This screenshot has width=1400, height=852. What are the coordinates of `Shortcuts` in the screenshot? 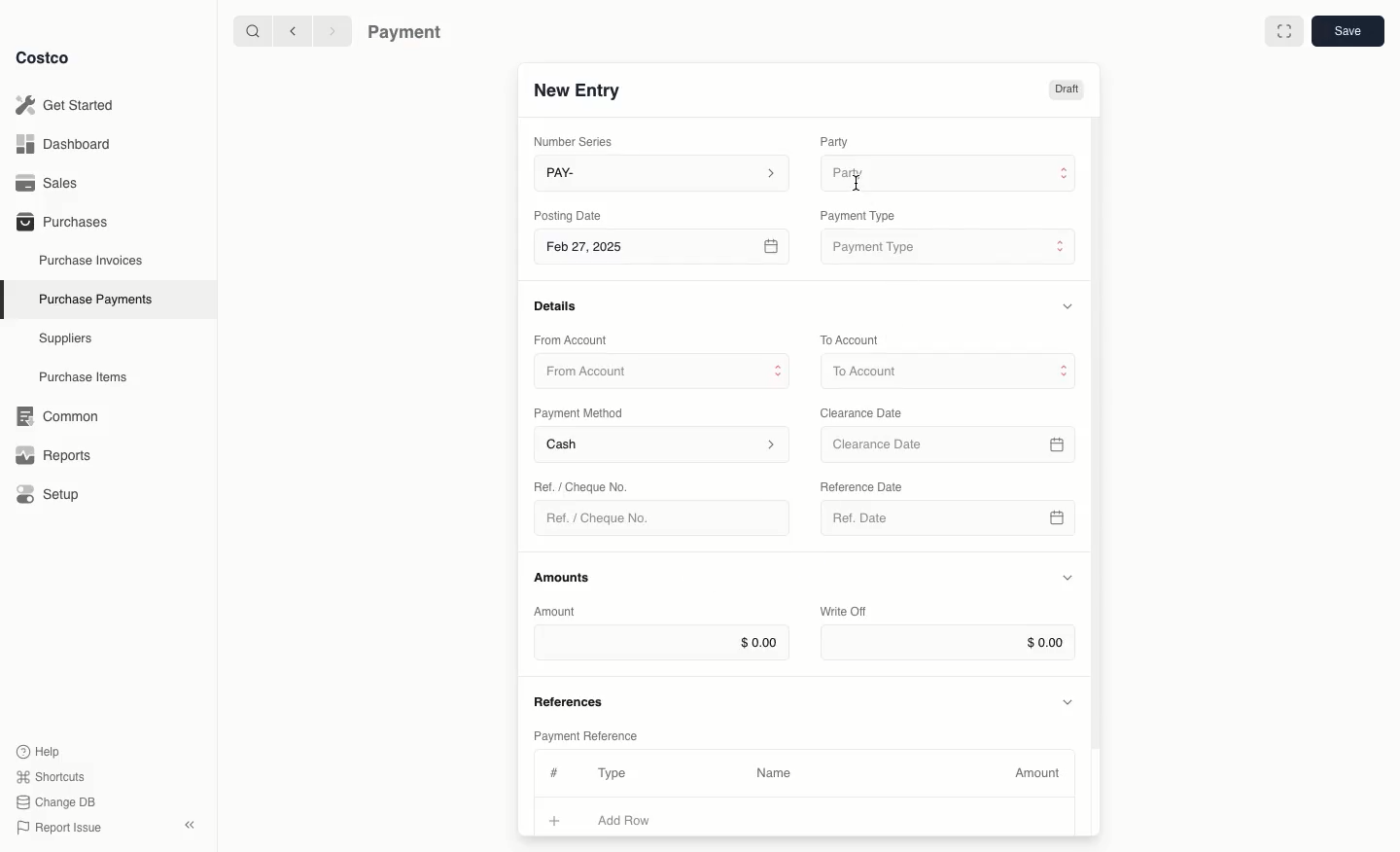 It's located at (50, 775).